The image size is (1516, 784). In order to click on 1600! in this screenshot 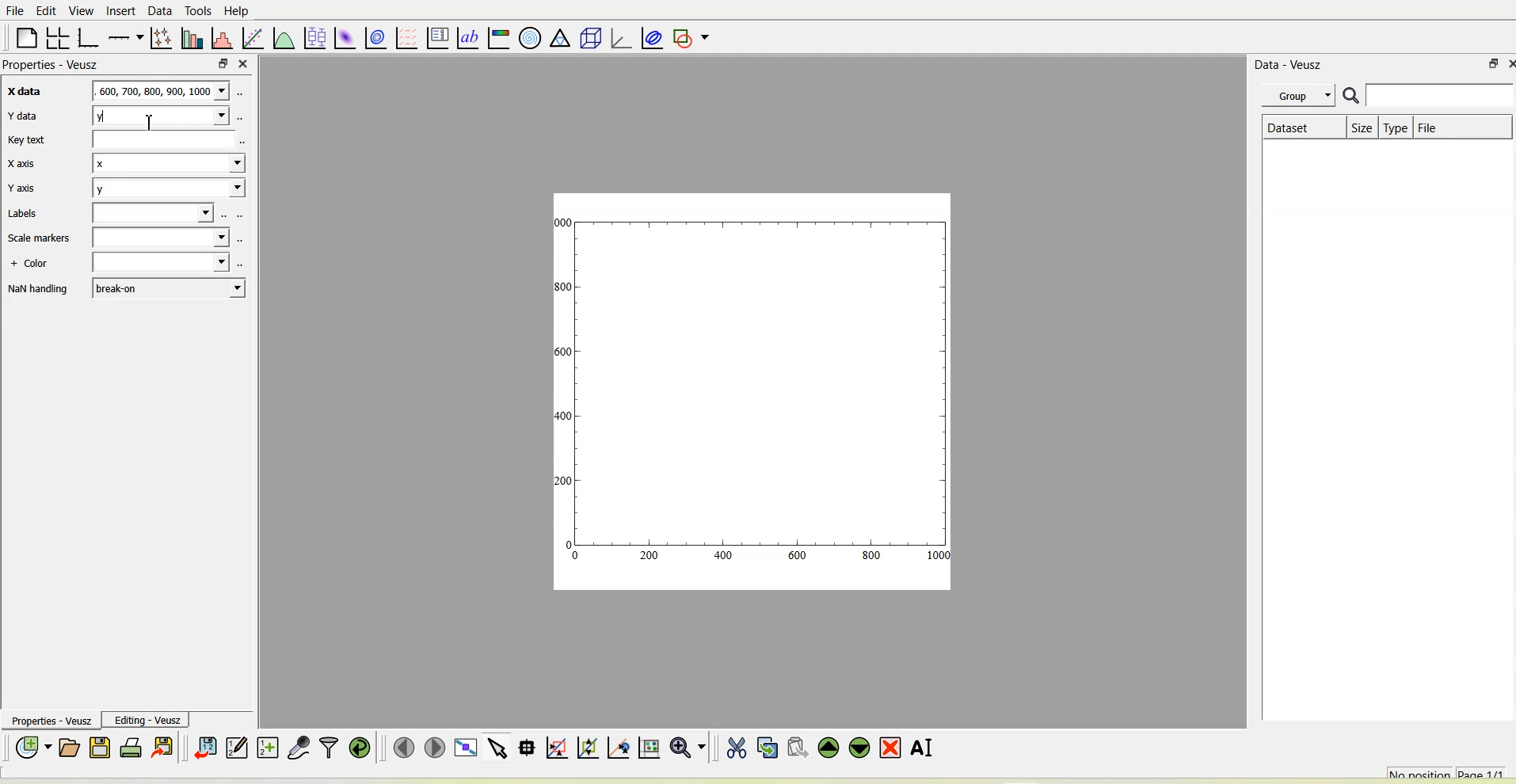, I will do `click(563, 352)`.